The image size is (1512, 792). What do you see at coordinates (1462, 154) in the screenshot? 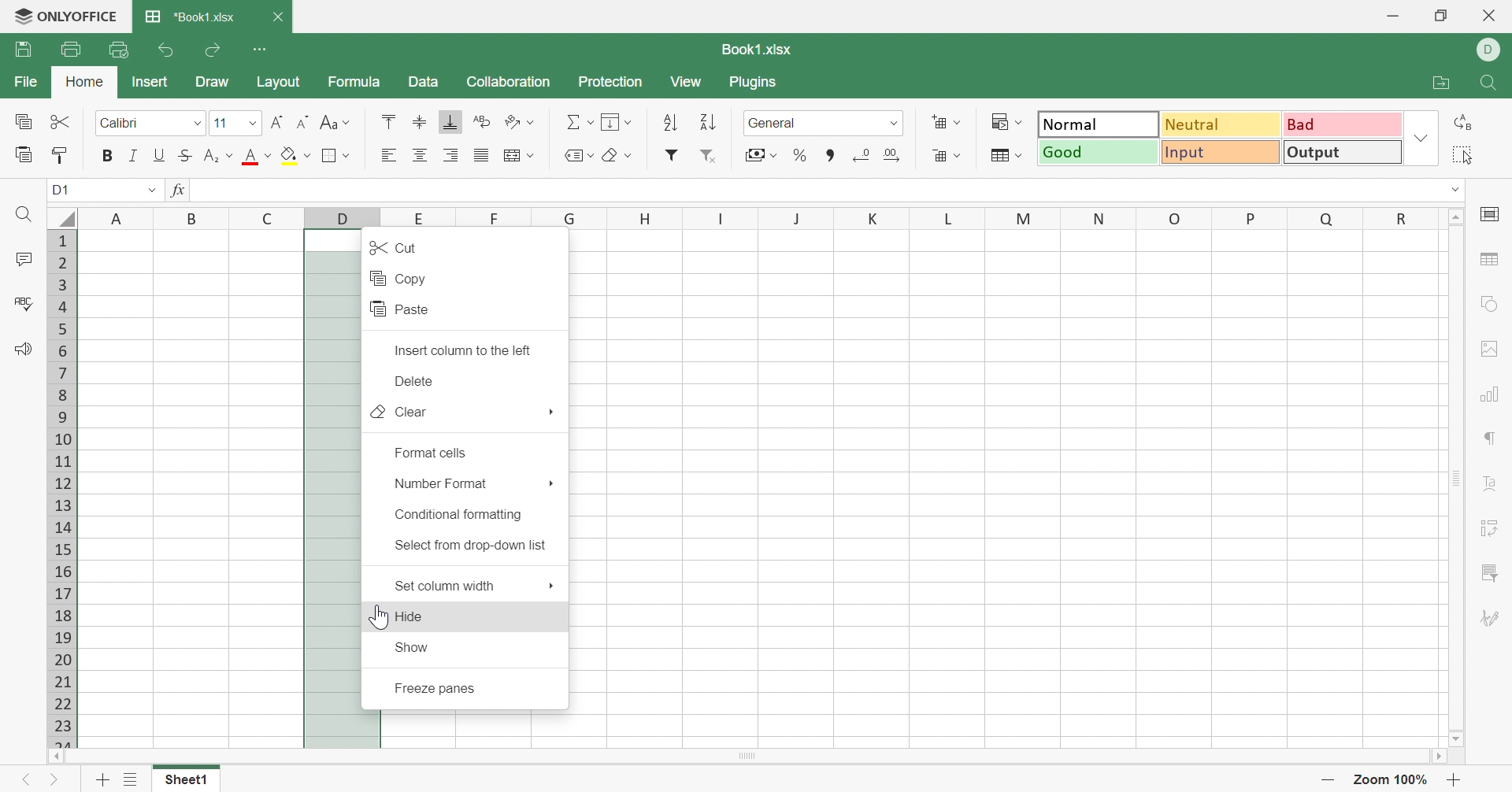
I see `Select all` at bounding box center [1462, 154].